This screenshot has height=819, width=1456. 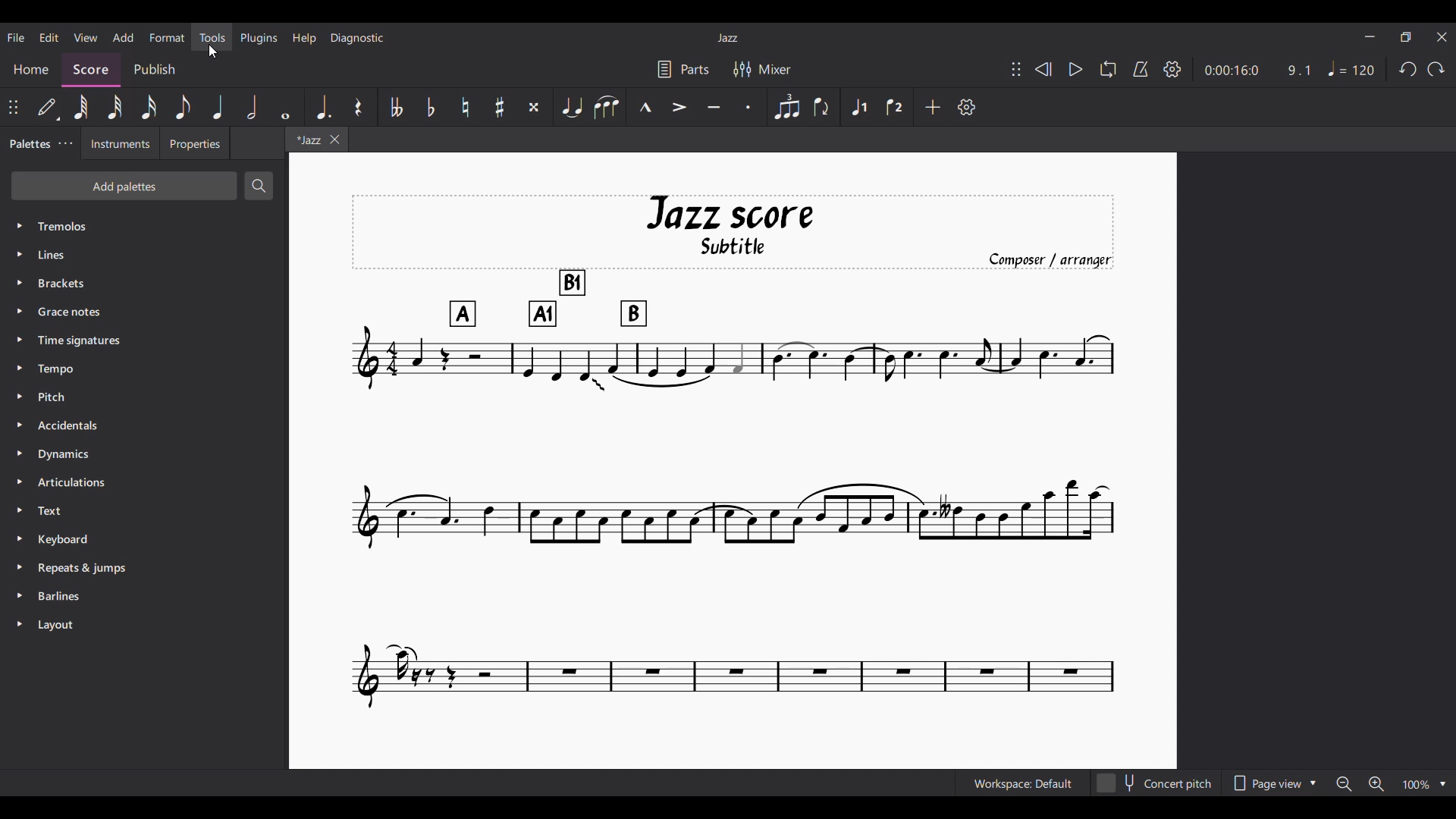 I want to click on Tempo, so click(x=1351, y=68).